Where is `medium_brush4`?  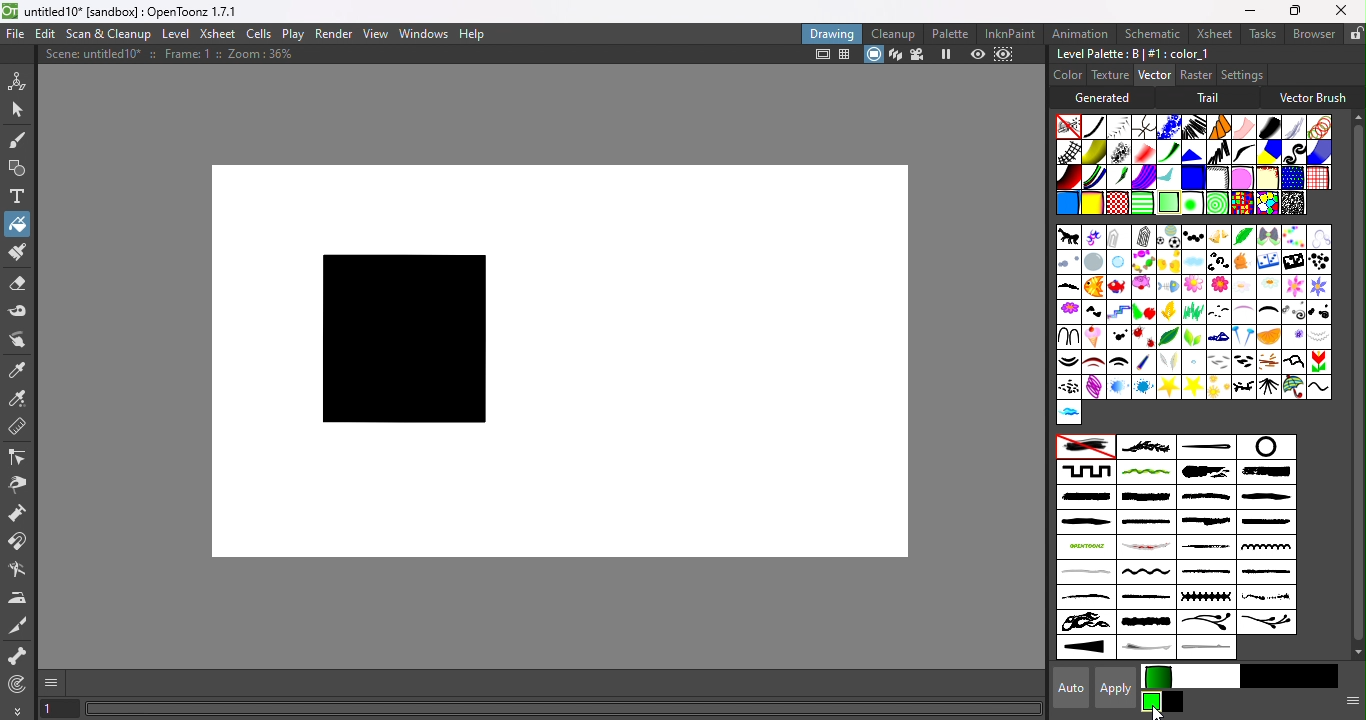 medium_brush4 is located at coordinates (1264, 523).